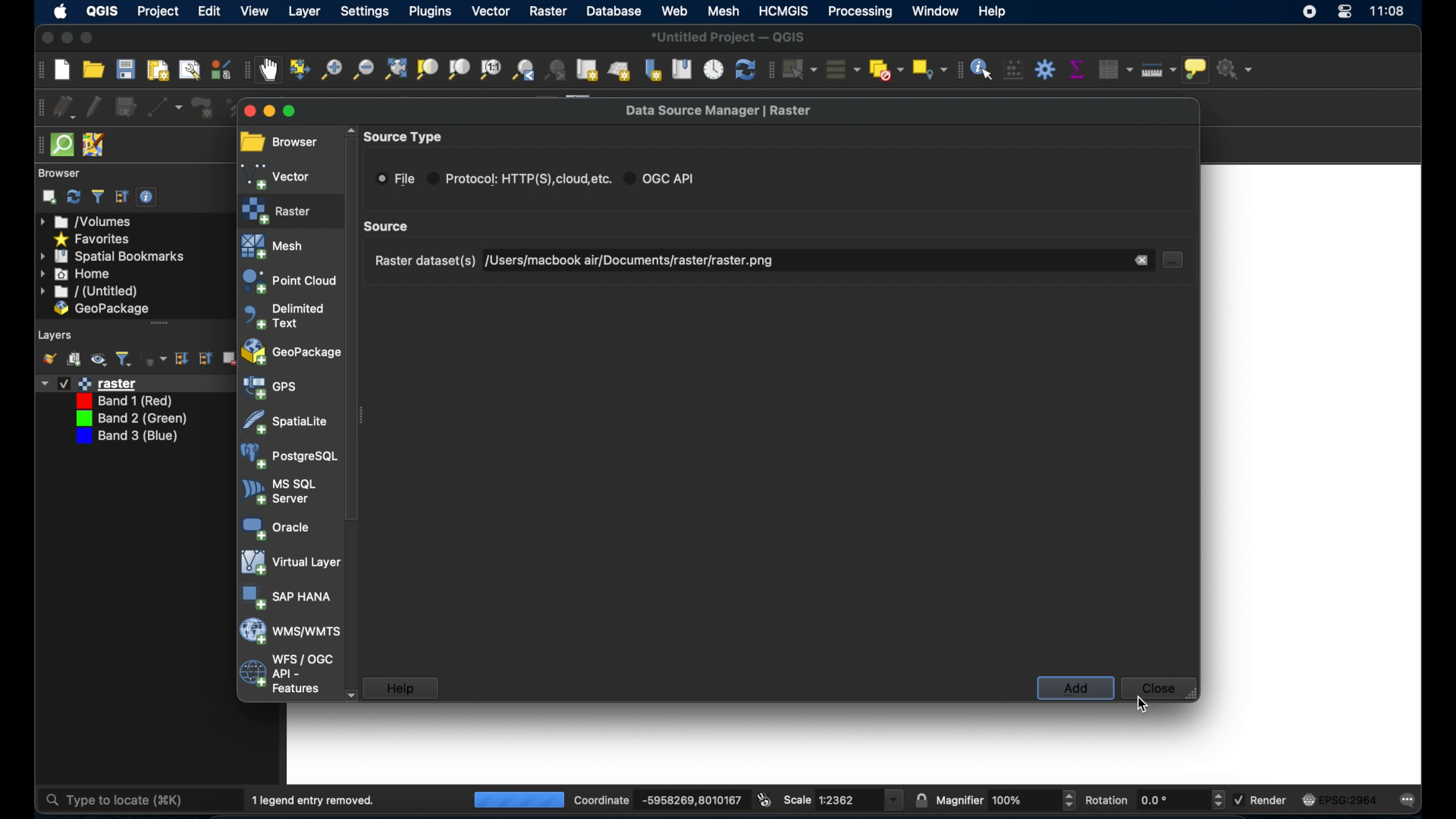 The image size is (1456, 819). Describe the element at coordinates (288, 596) in the screenshot. I see `sap hana` at that location.